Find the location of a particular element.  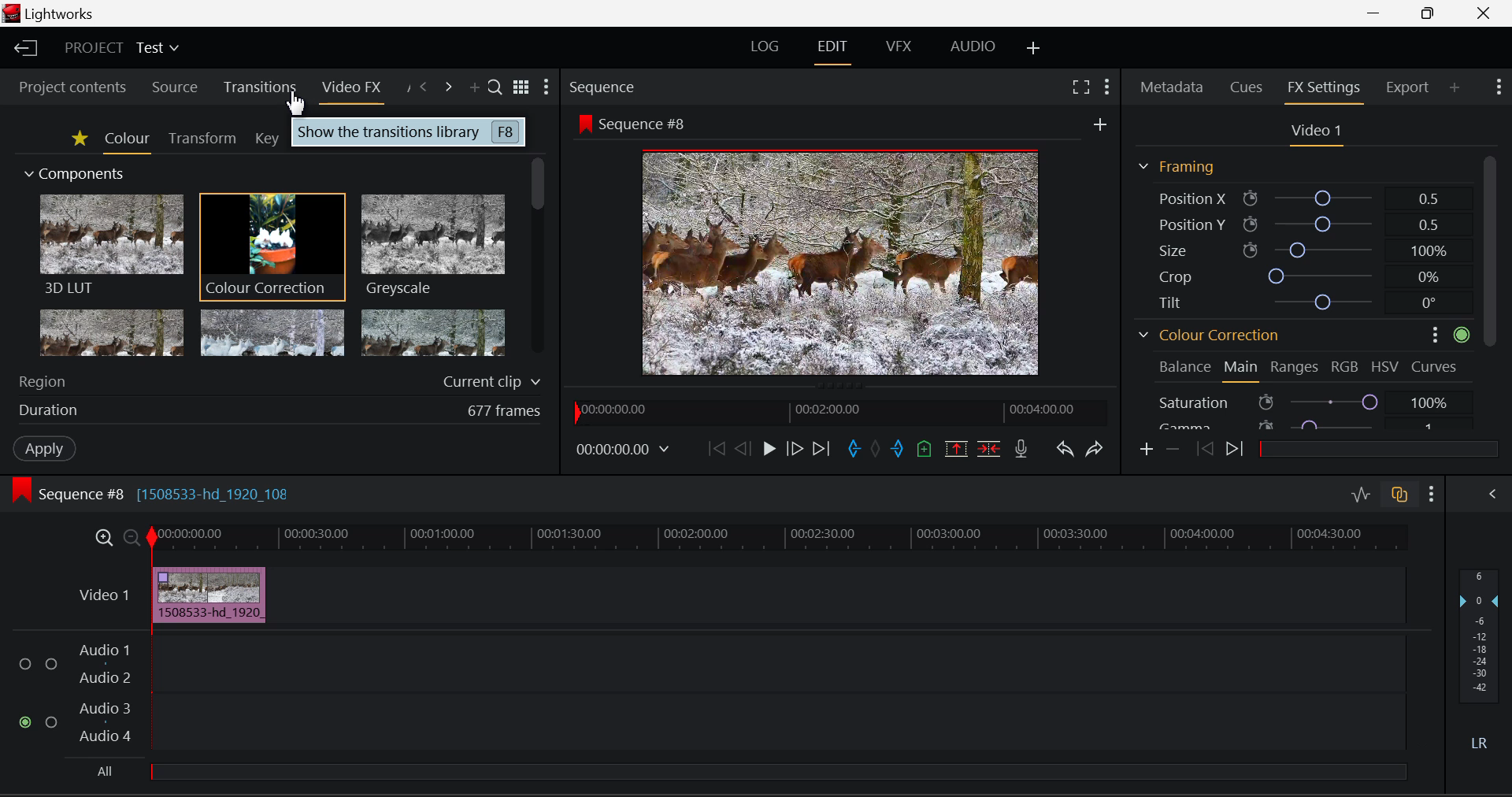

Search is located at coordinates (492, 84).